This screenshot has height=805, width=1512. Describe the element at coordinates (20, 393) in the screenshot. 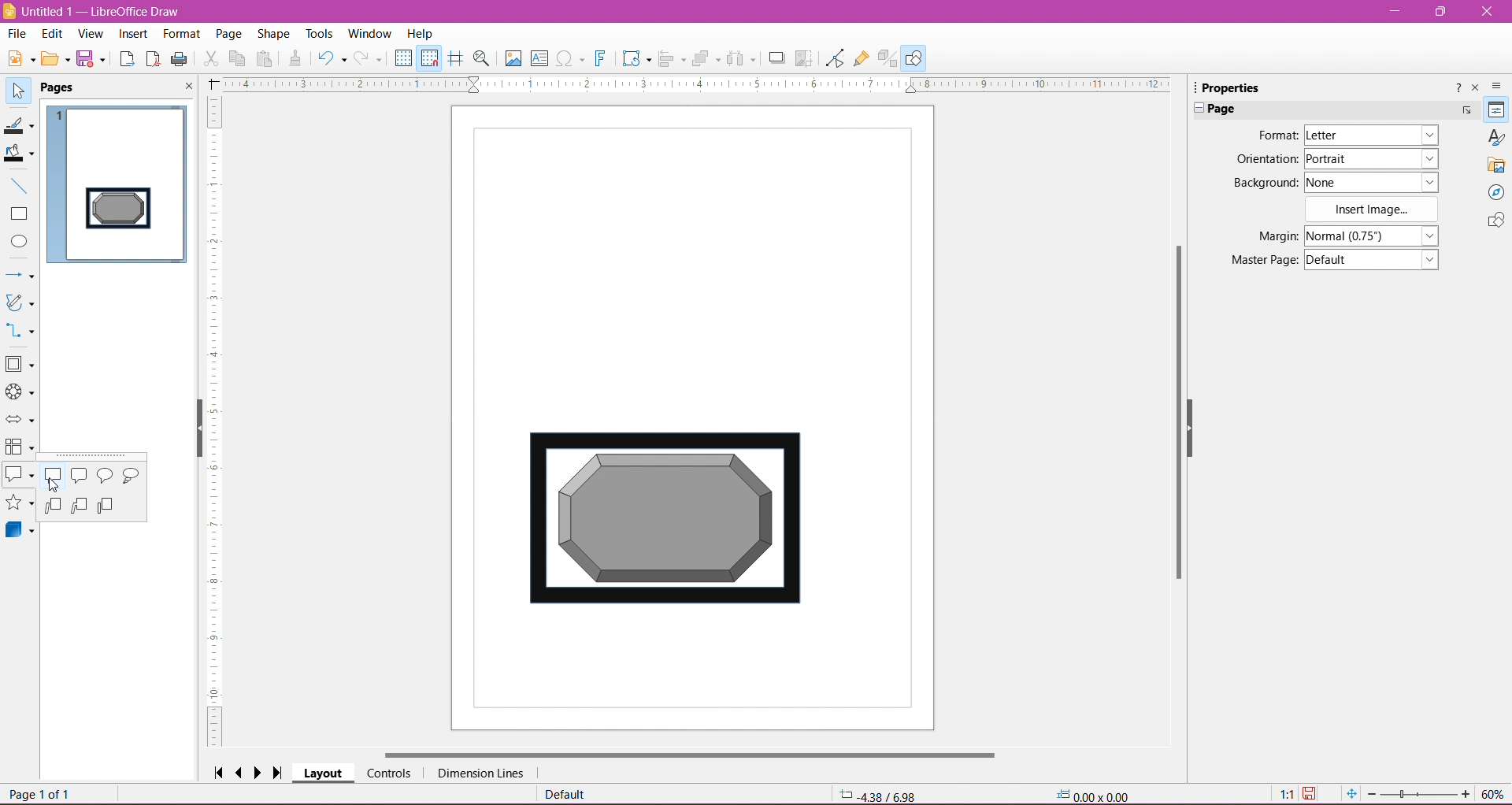

I see `Symbol Shapes` at that location.